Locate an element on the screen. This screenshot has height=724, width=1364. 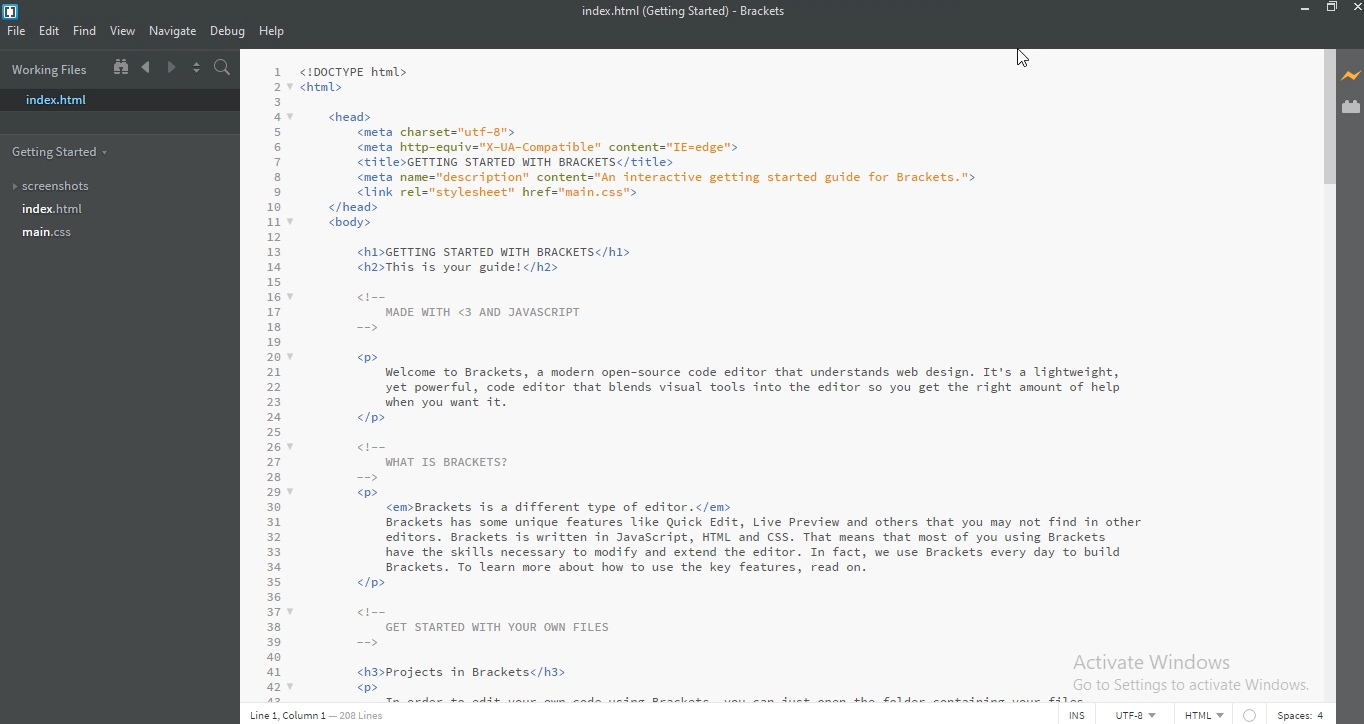
show file tree is located at coordinates (117, 68).